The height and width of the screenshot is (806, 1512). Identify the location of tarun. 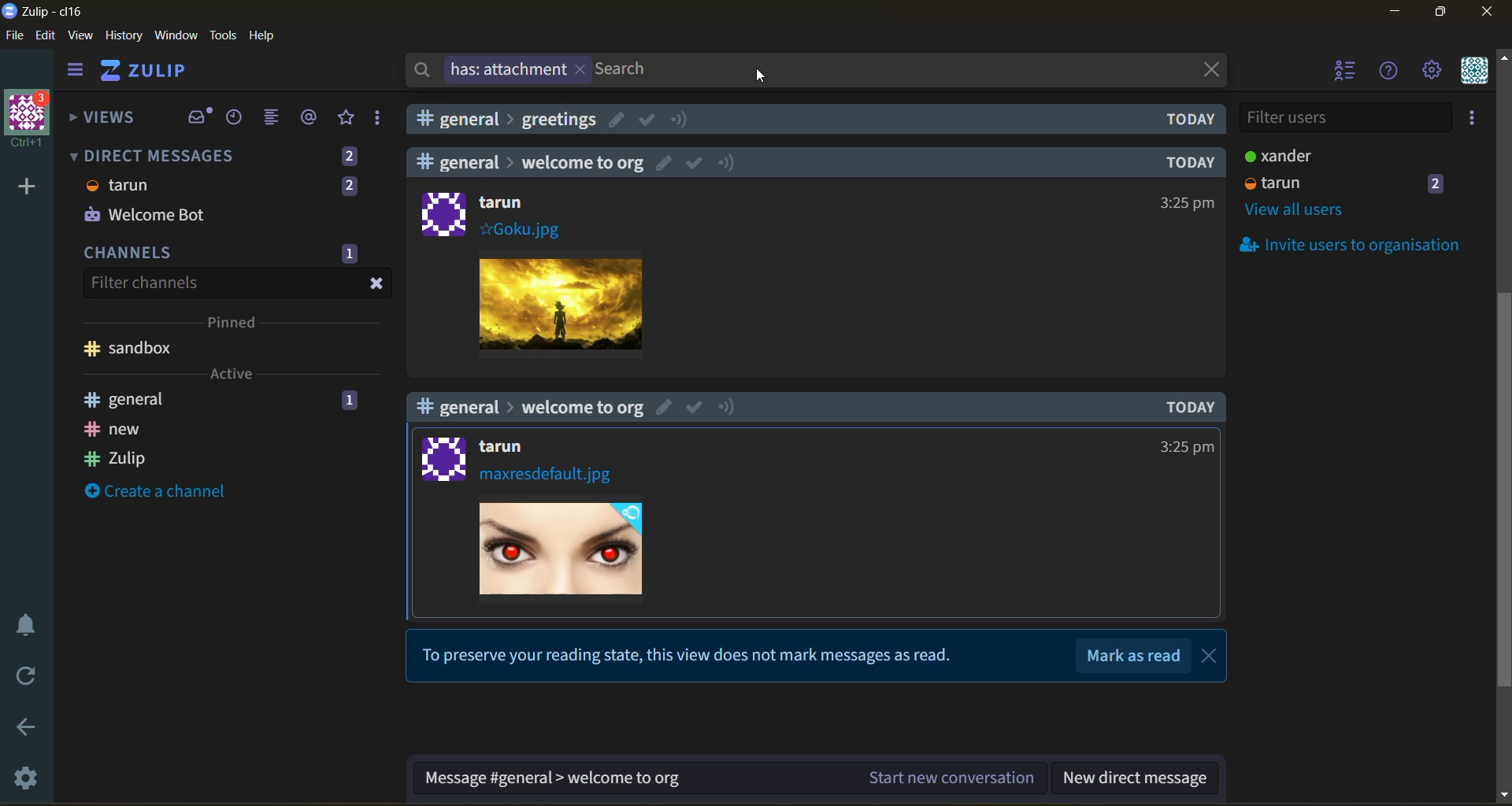
(507, 447).